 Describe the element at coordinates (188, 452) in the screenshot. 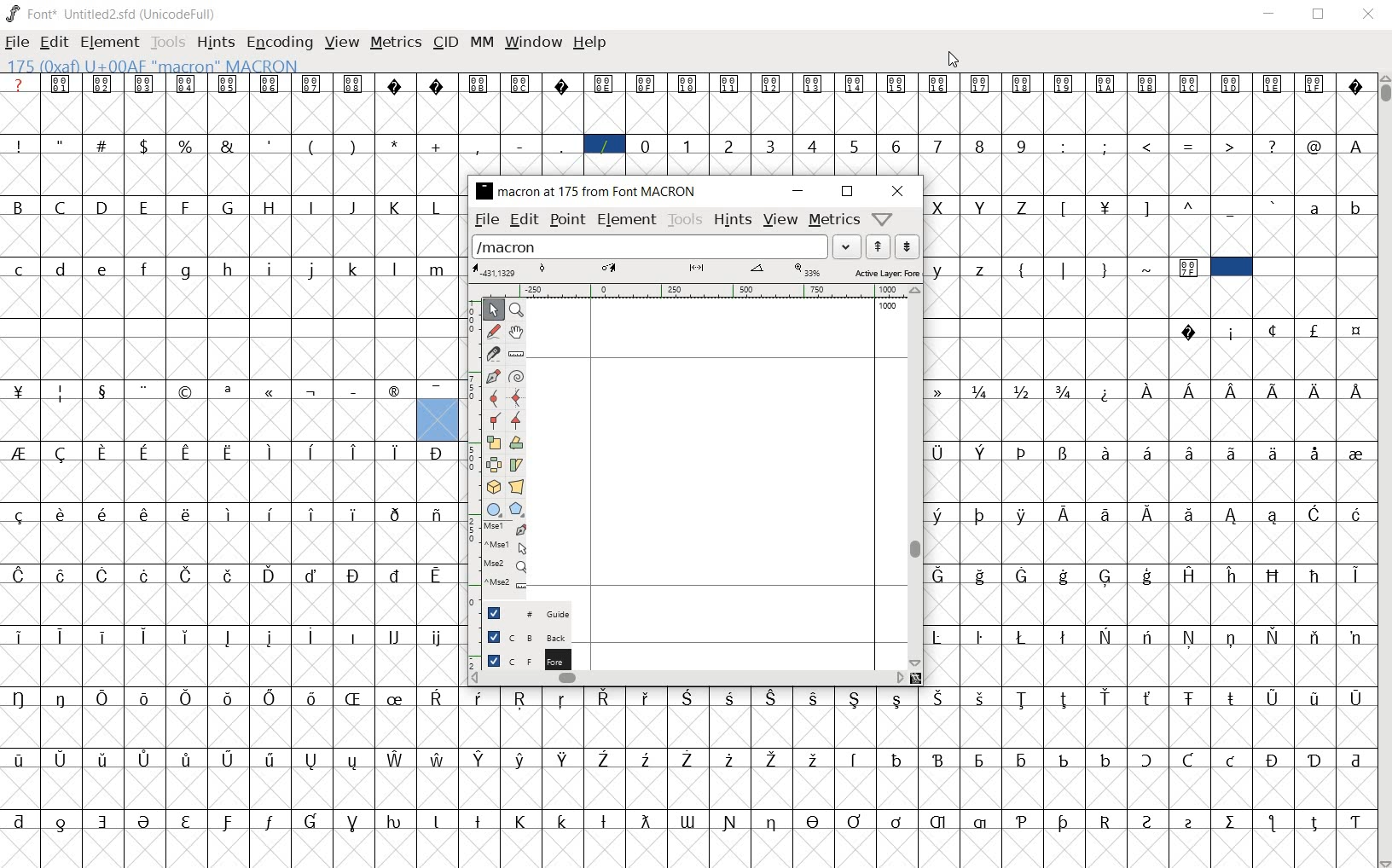

I see `Symbol` at that location.